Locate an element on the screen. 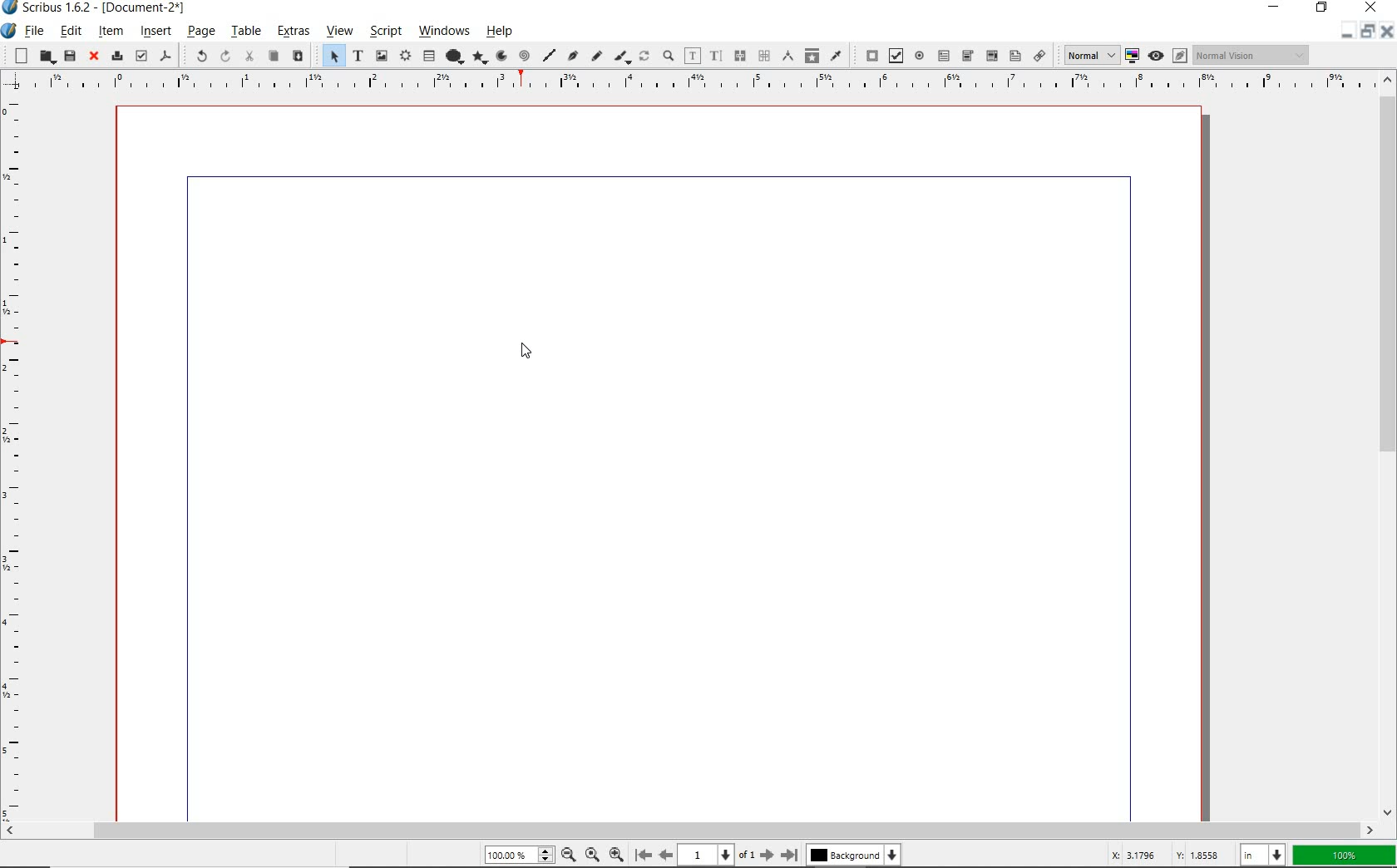 This screenshot has width=1397, height=868. shape is located at coordinates (456, 54).